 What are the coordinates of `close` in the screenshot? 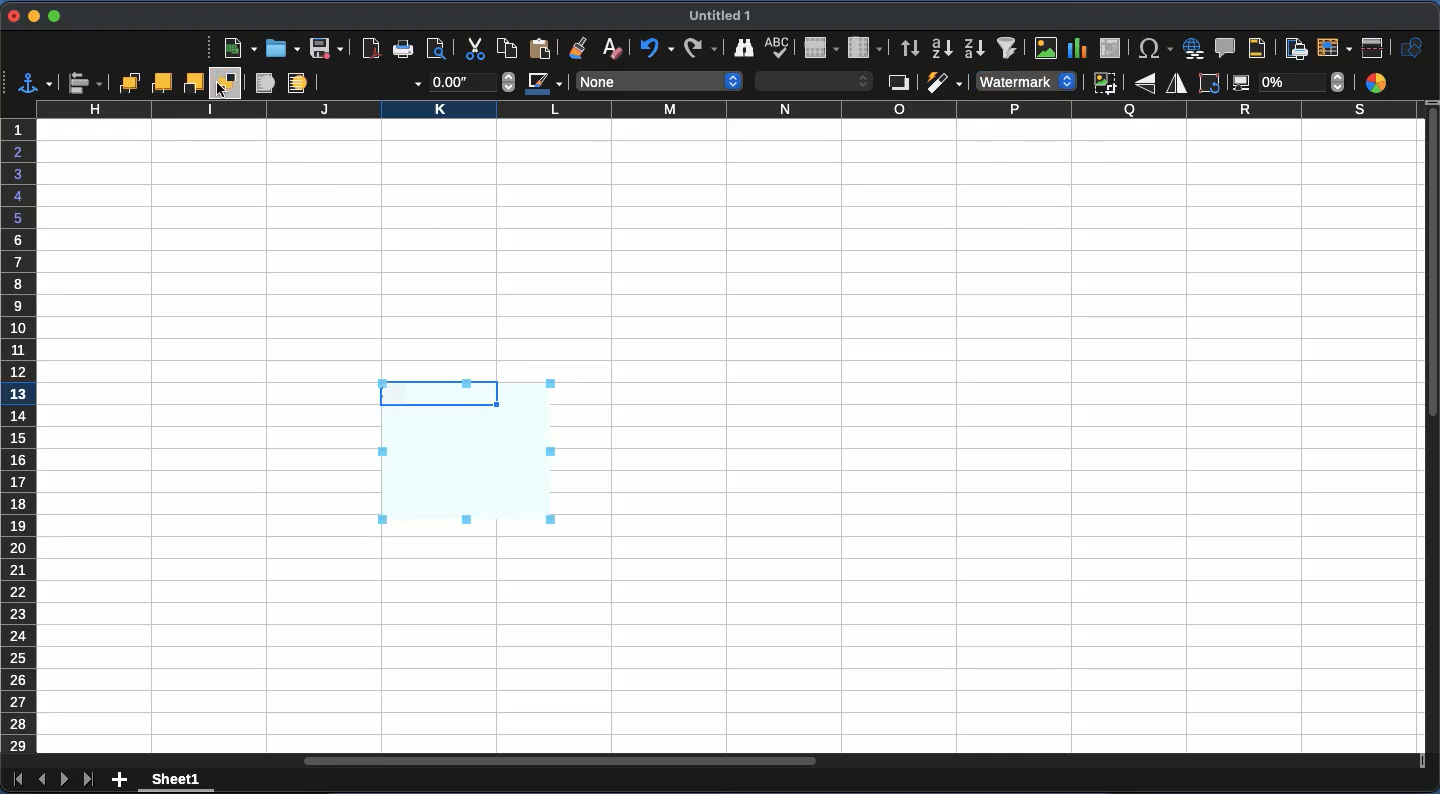 It's located at (11, 15).